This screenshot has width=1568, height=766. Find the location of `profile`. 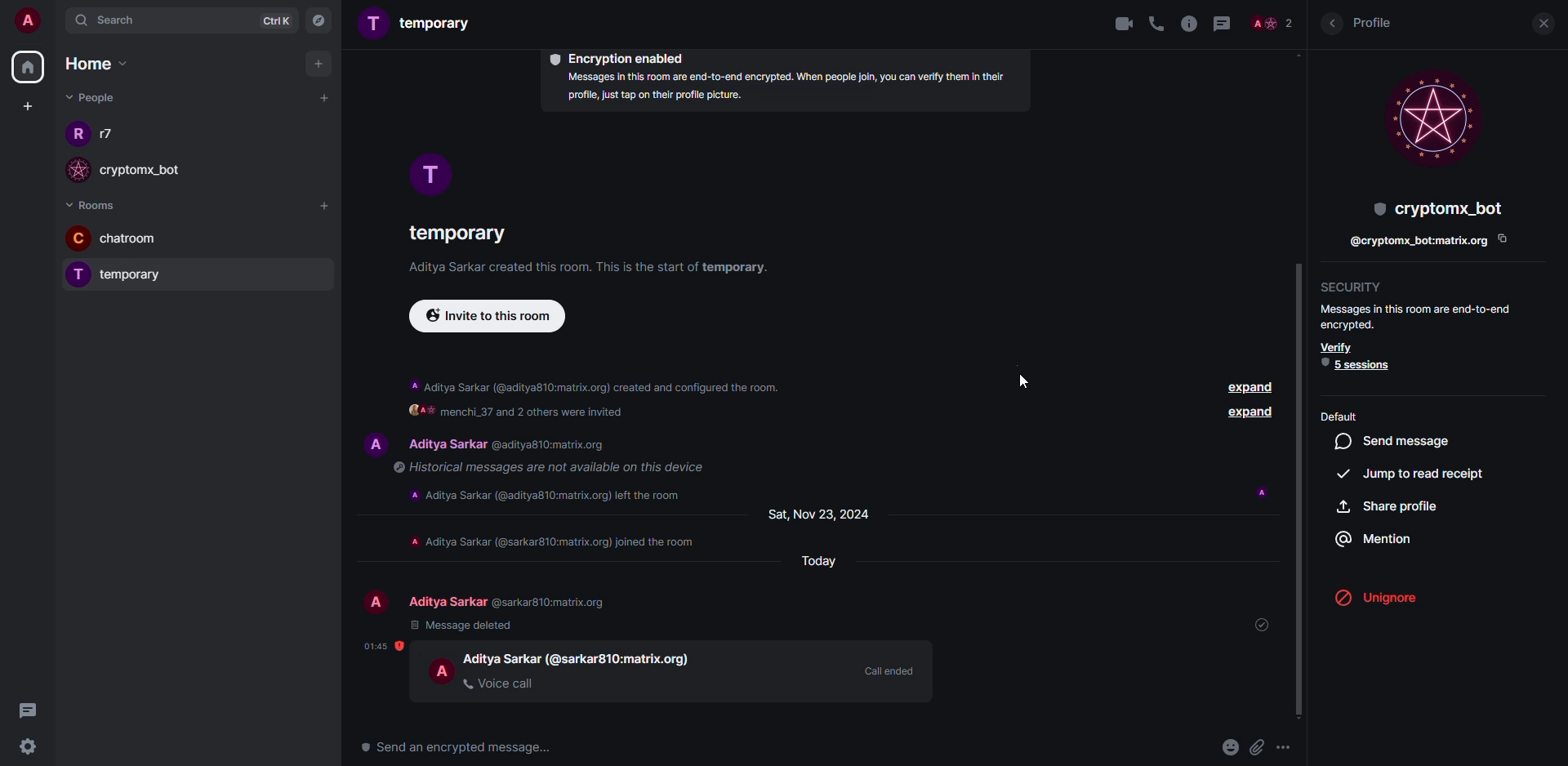

profile is located at coordinates (443, 670).